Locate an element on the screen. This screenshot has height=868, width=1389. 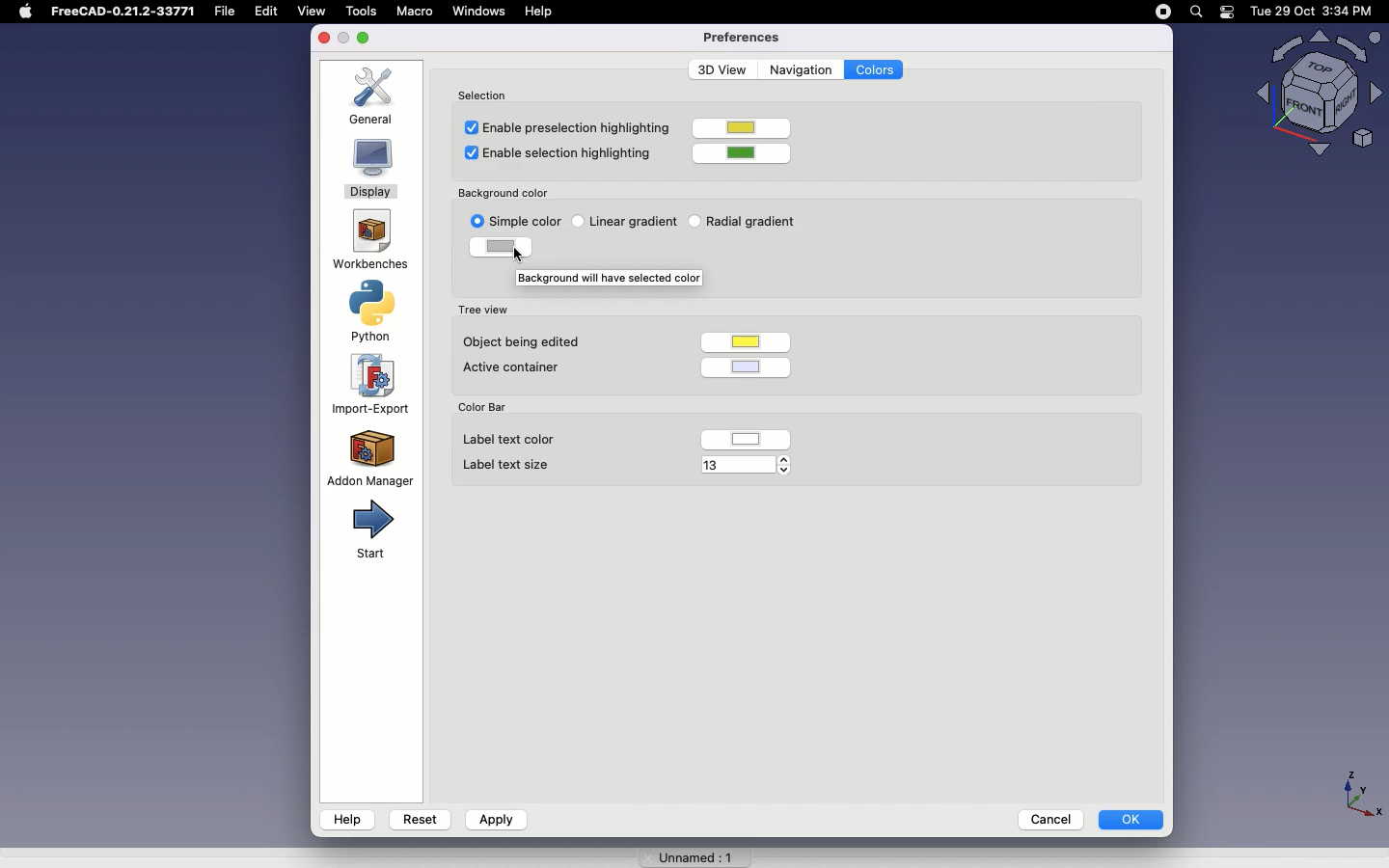
General is located at coordinates (377, 95).